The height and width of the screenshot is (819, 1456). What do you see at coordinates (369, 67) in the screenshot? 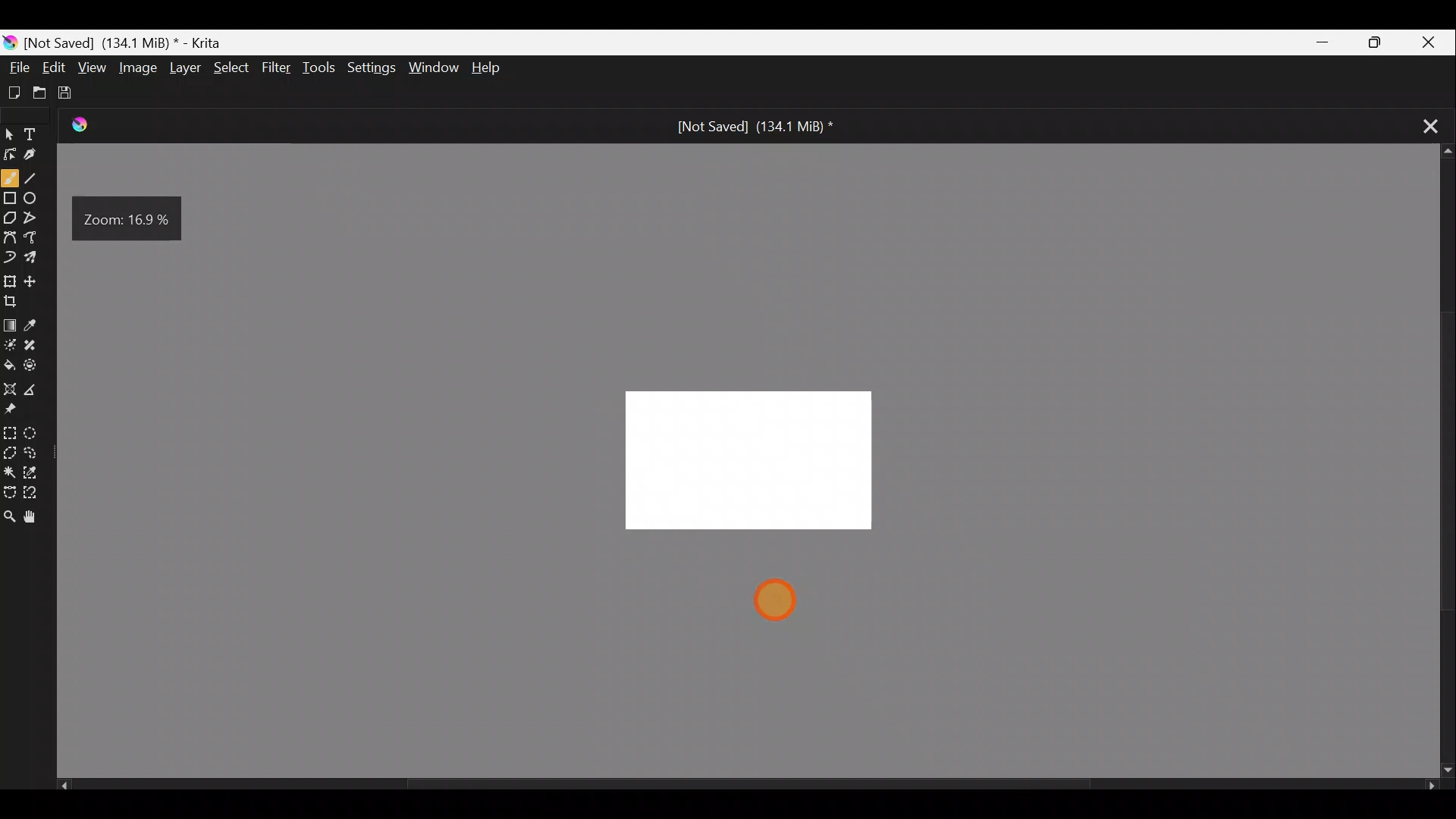
I see `Settings` at bounding box center [369, 67].